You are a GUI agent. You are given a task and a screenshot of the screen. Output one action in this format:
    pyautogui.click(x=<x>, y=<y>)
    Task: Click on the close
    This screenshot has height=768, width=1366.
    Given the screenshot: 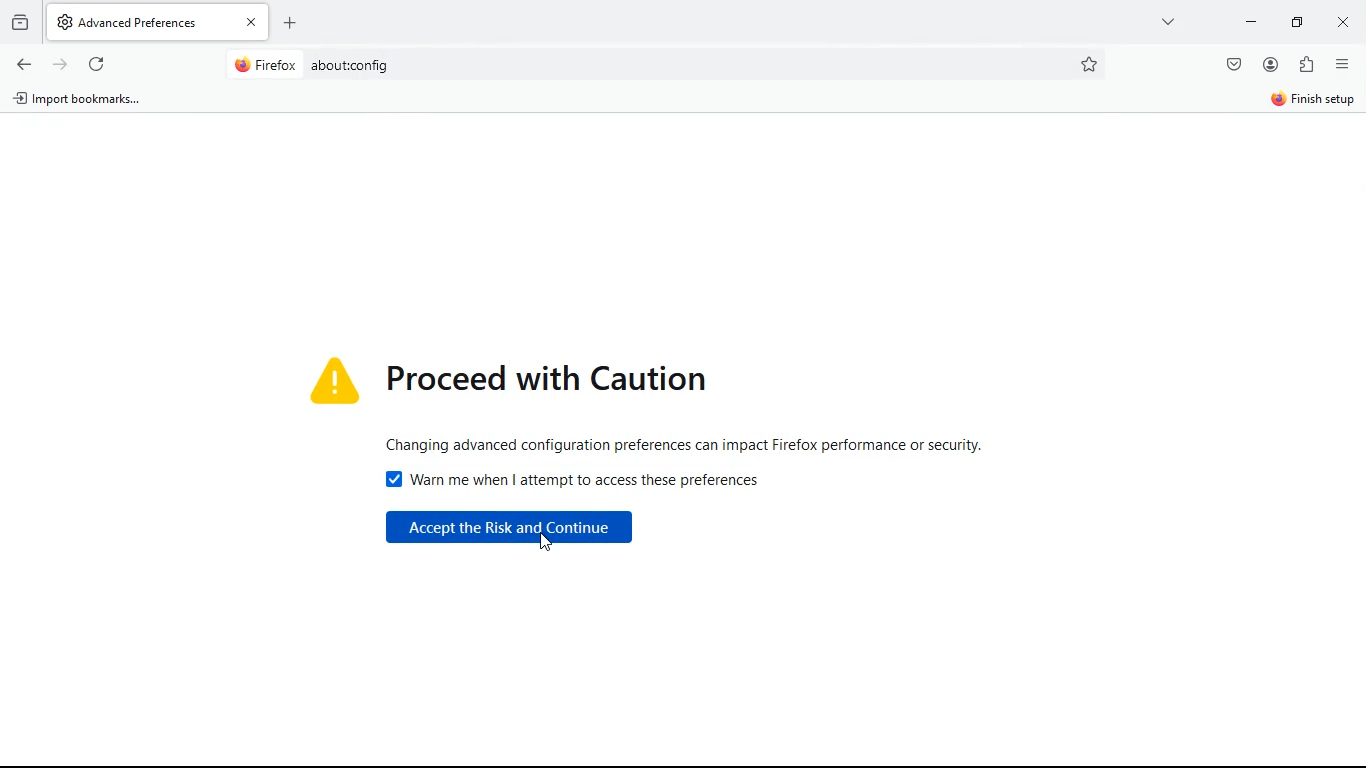 What is the action you would take?
    pyautogui.click(x=1343, y=24)
    